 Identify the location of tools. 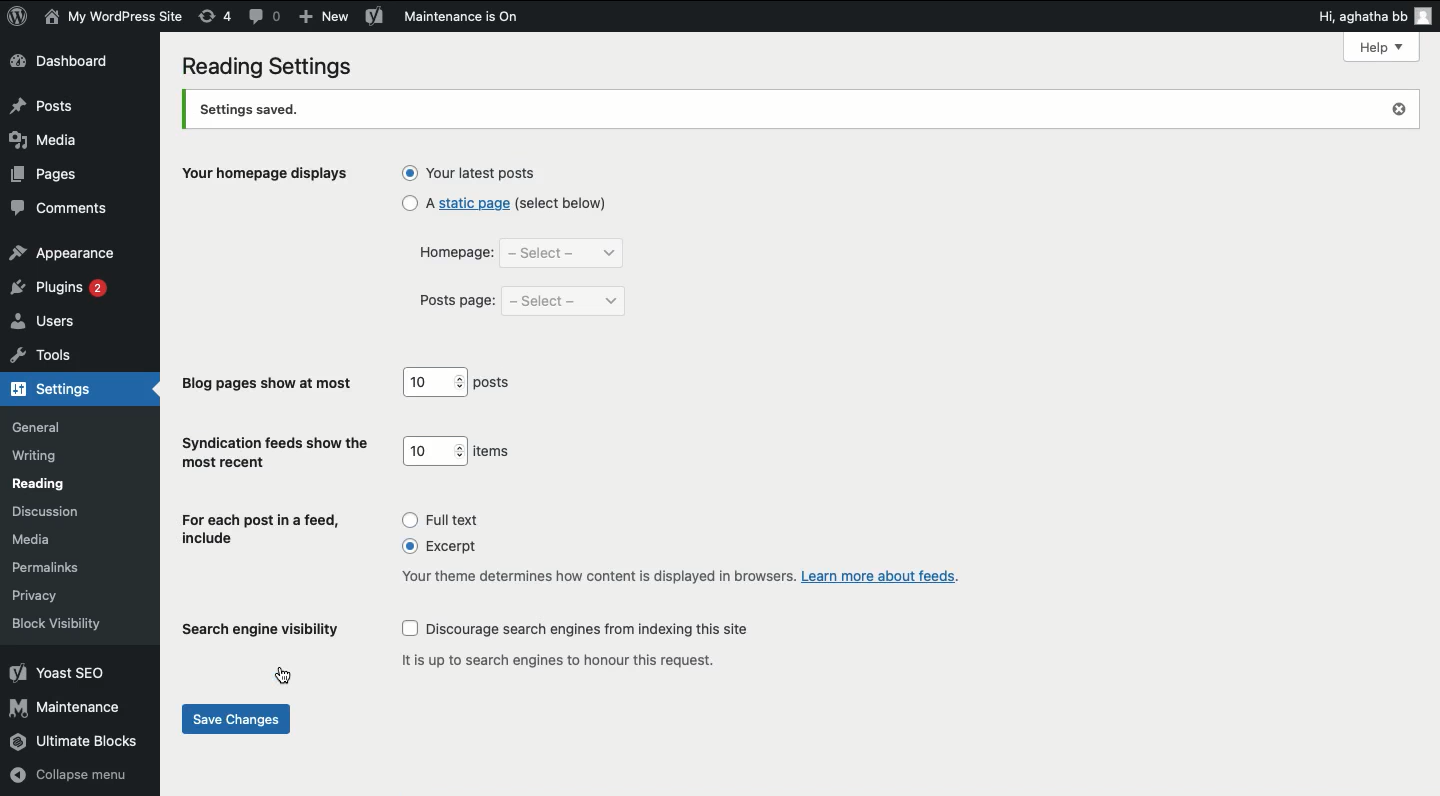
(46, 355).